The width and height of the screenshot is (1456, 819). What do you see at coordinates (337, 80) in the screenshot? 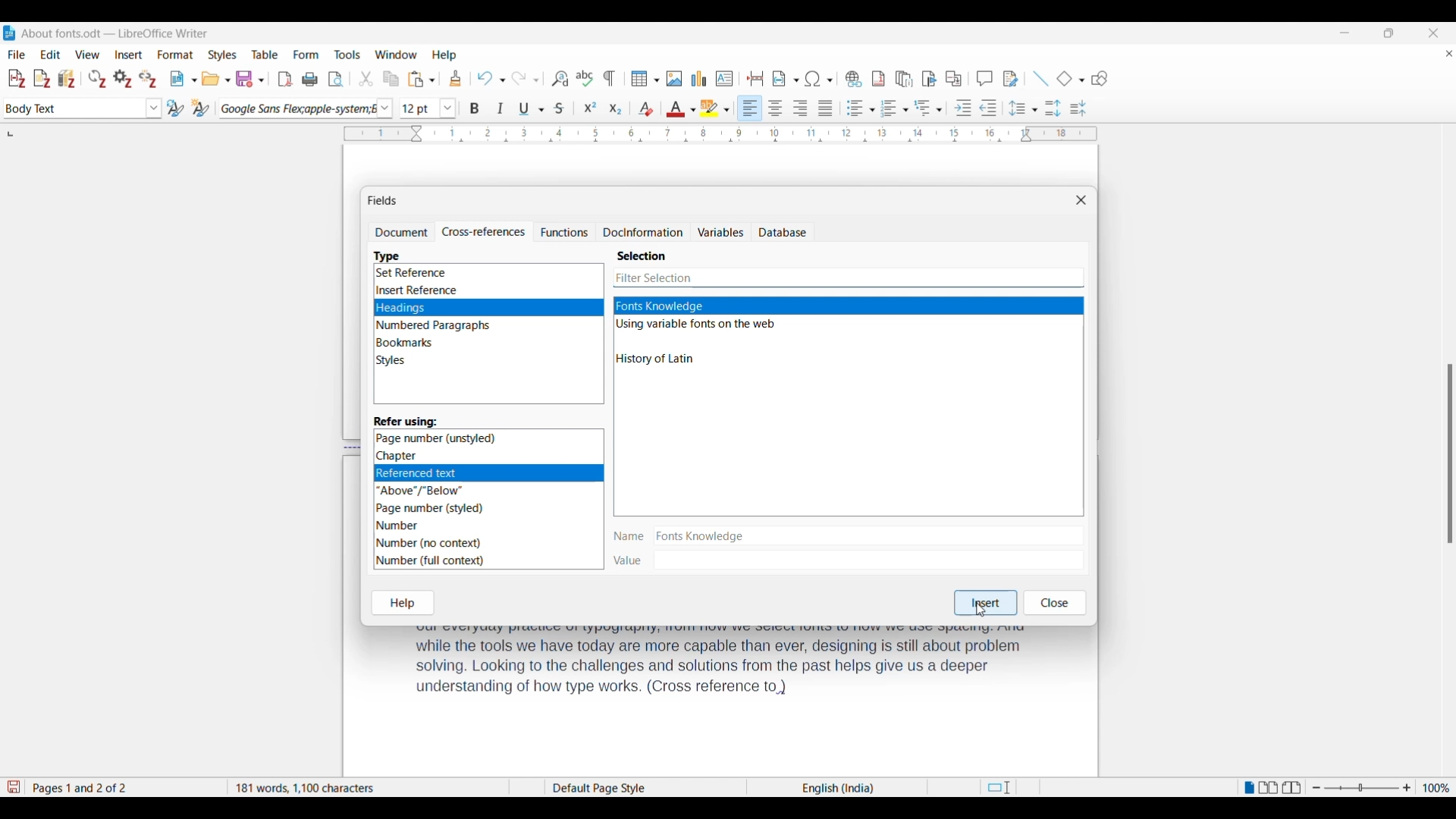
I see `Toggle print preview` at bounding box center [337, 80].